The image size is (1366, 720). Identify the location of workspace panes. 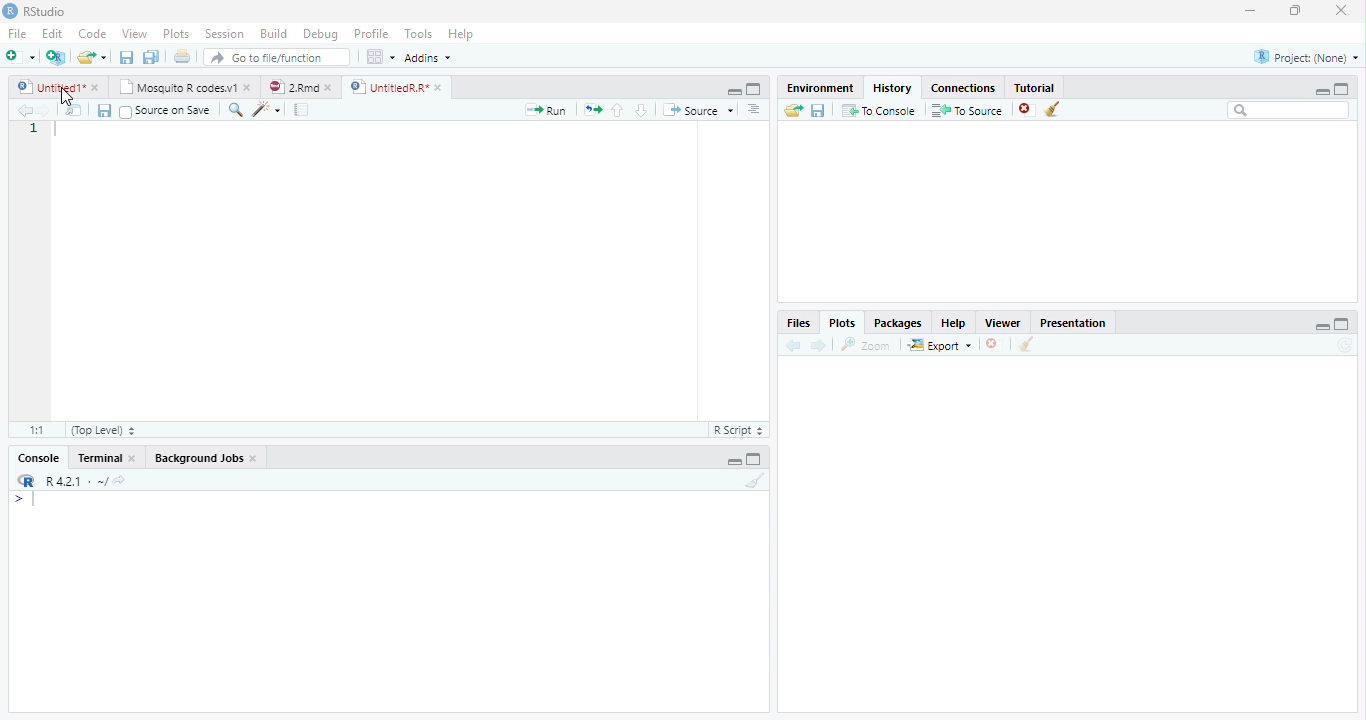
(381, 61).